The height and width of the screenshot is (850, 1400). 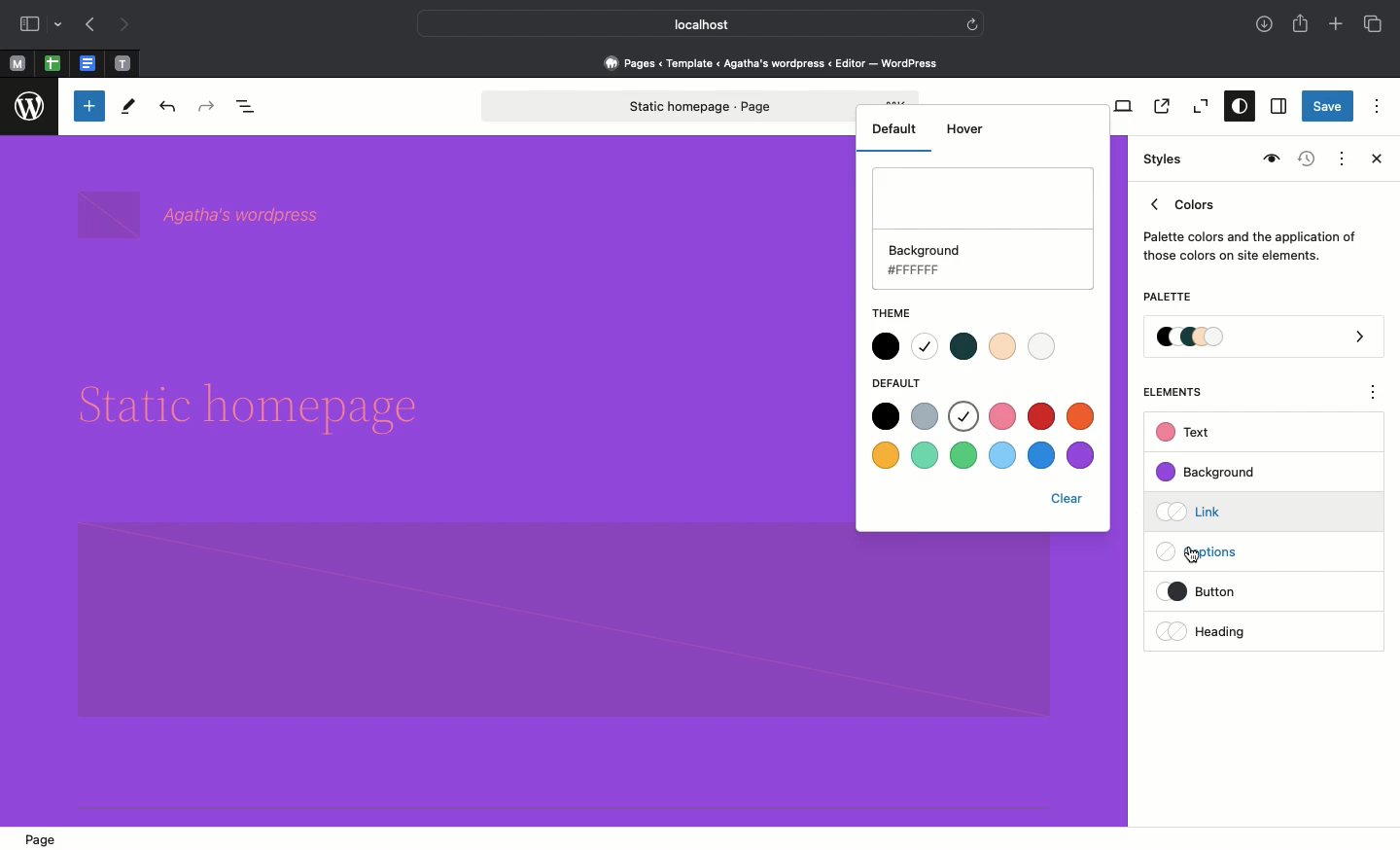 I want to click on Text, so click(x=1186, y=433).